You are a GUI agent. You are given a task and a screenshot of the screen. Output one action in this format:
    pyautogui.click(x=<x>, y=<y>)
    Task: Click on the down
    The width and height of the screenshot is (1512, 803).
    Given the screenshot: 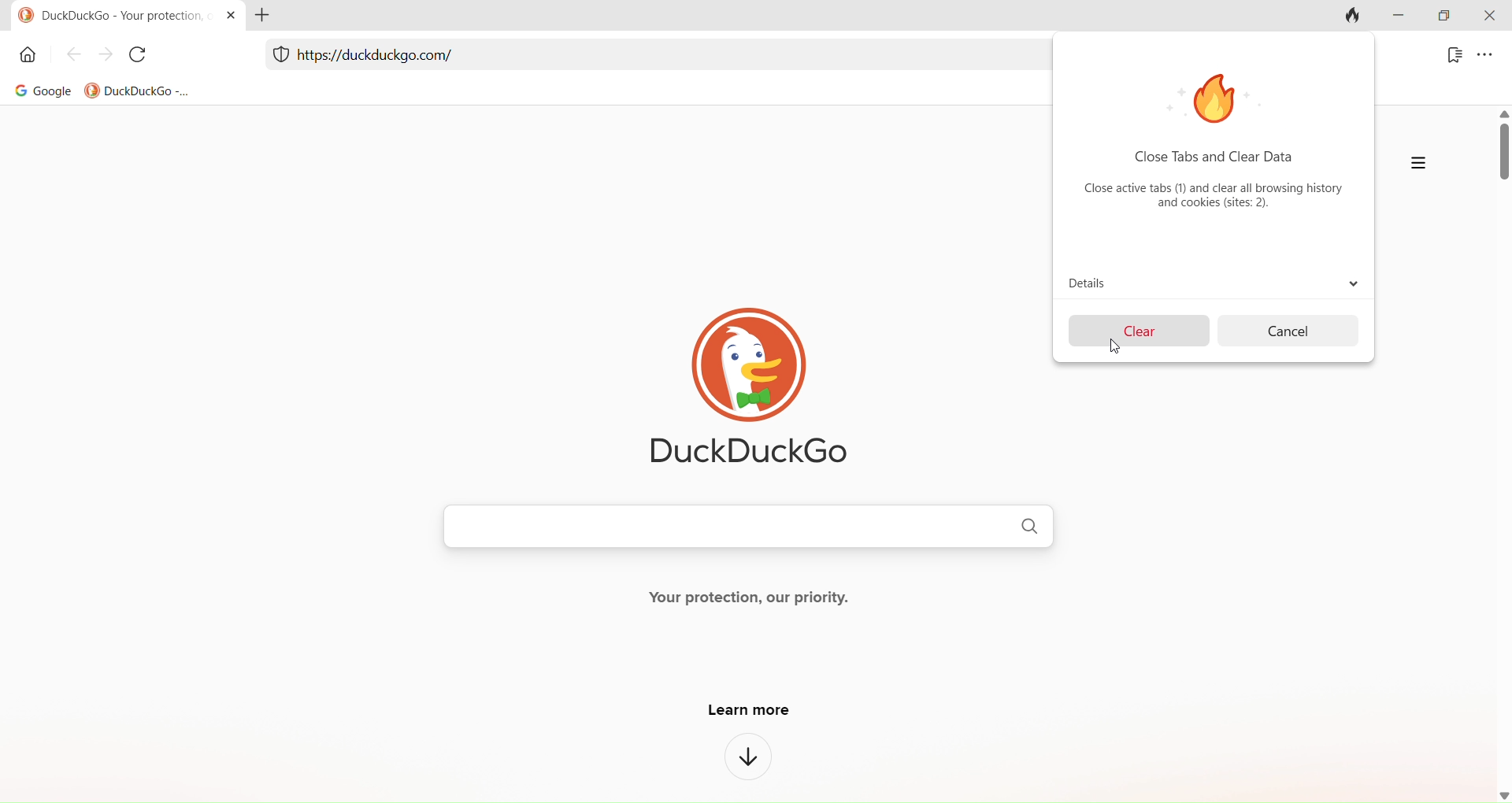 What is the action you would take?
    pyautogui.click(x=747, y=764)
    